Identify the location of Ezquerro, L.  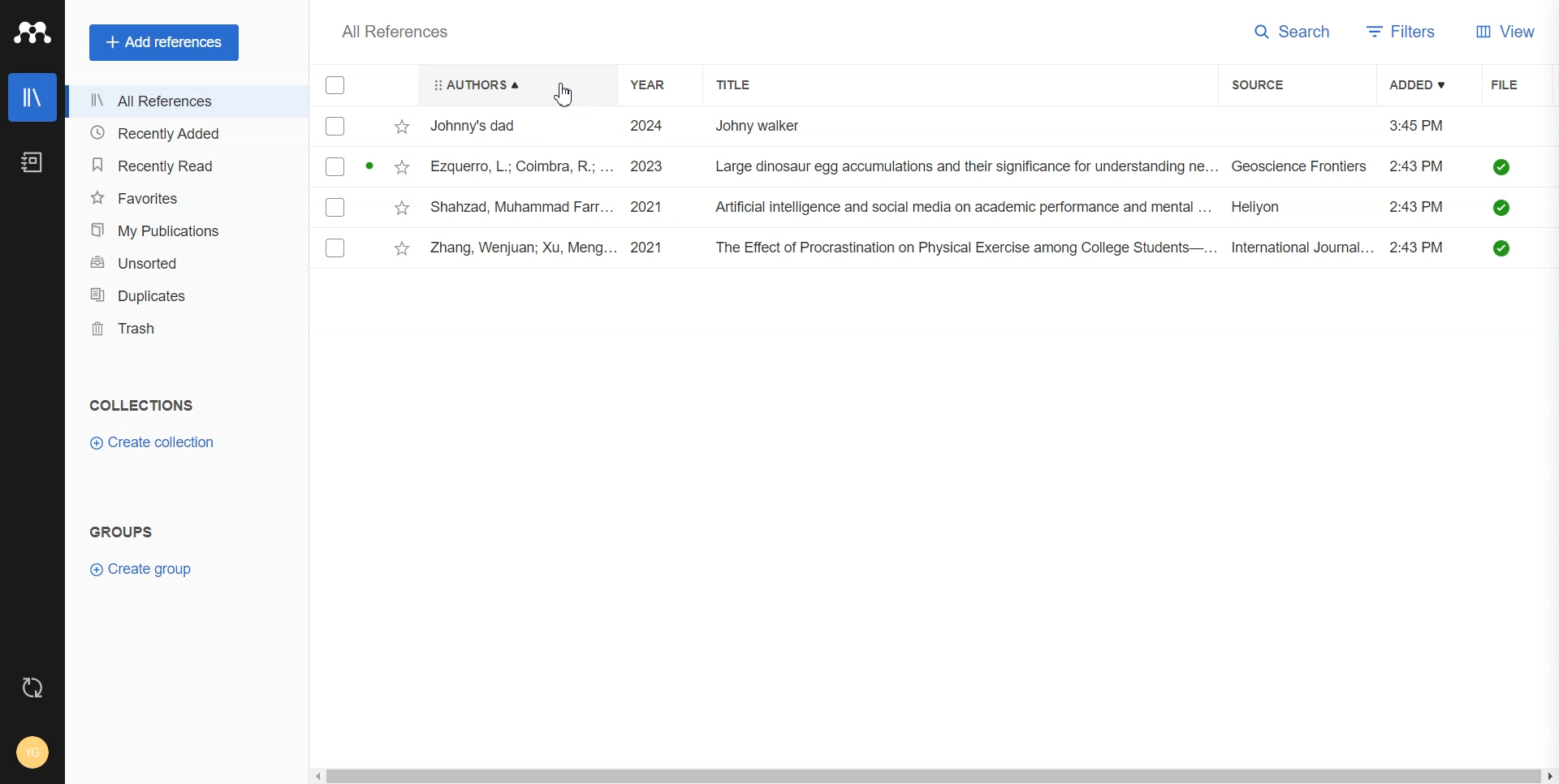
(521, 166).